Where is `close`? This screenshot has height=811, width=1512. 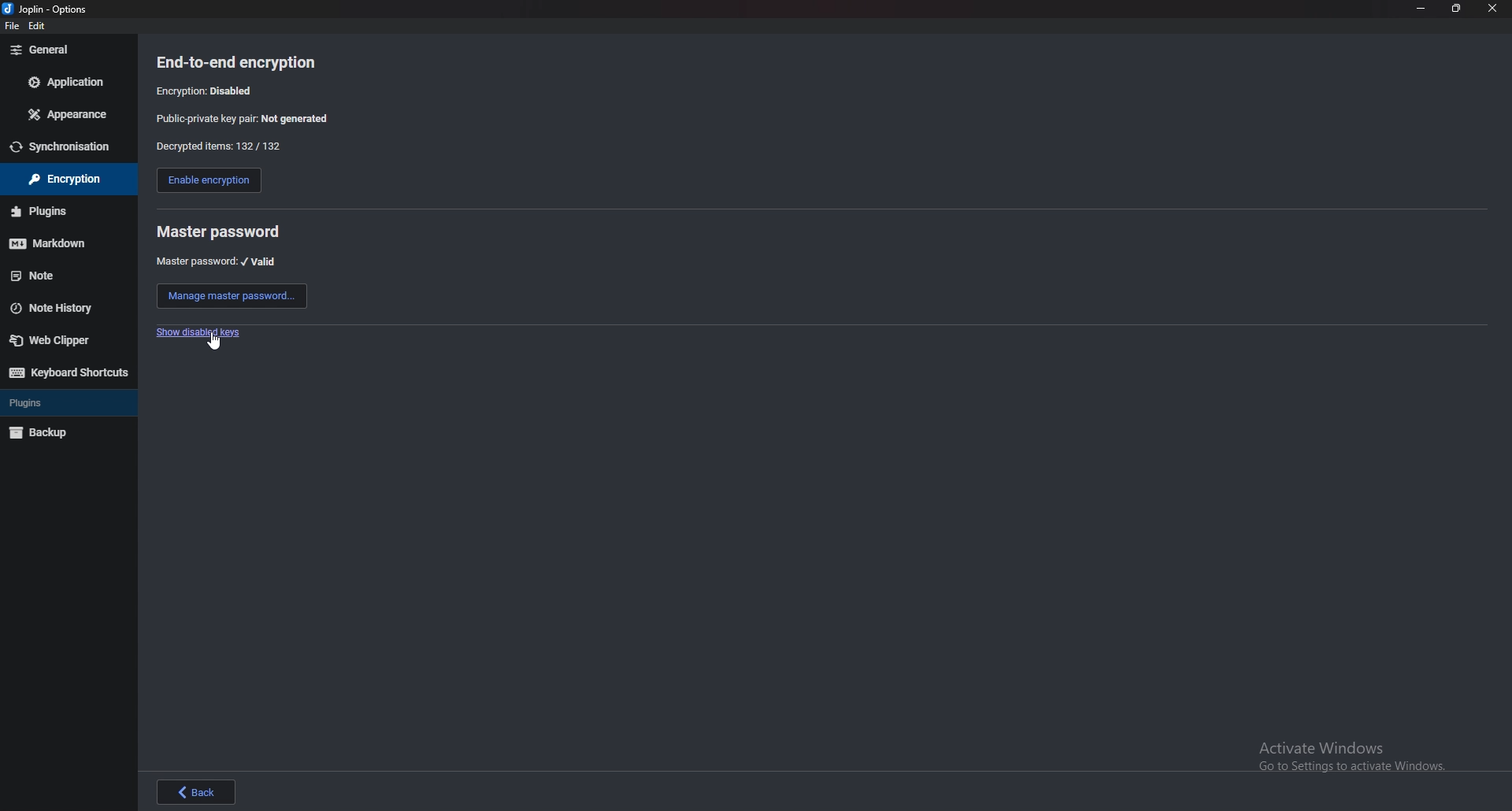 close is located at coordinates (1491, 9).